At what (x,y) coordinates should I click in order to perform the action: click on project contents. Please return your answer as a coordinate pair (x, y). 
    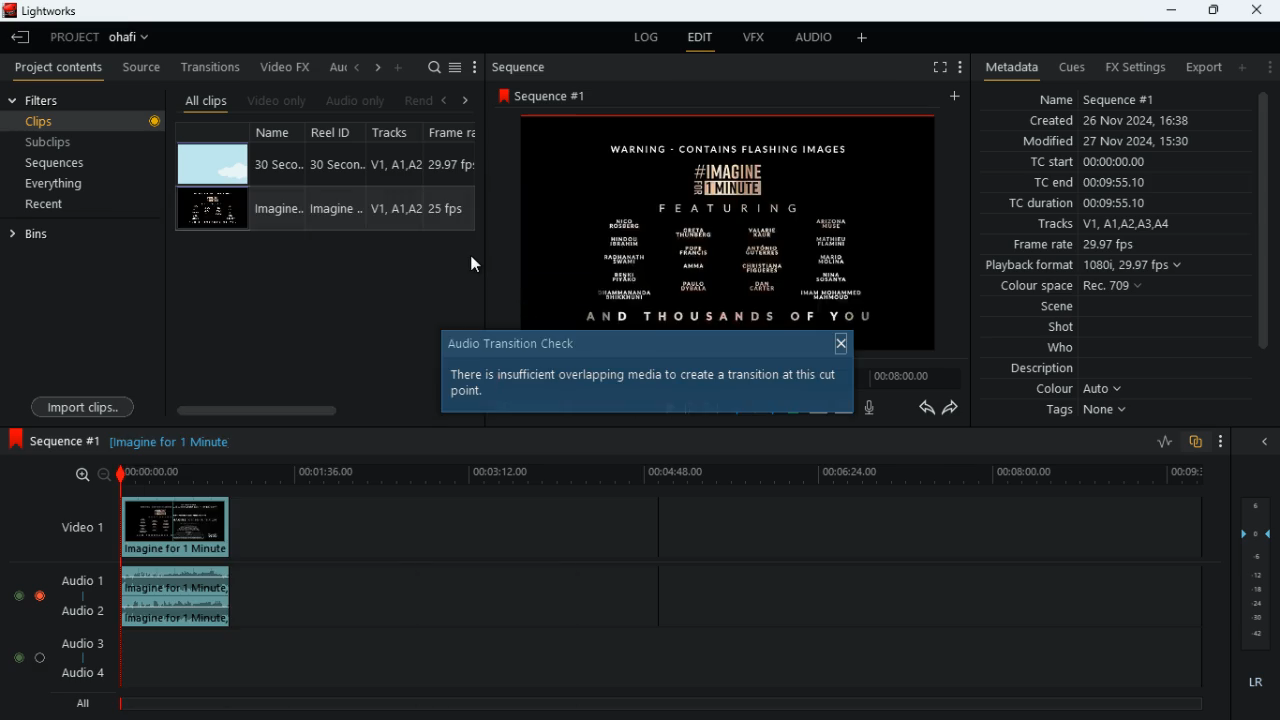
    Looking at the image, I should click on (59, 67).